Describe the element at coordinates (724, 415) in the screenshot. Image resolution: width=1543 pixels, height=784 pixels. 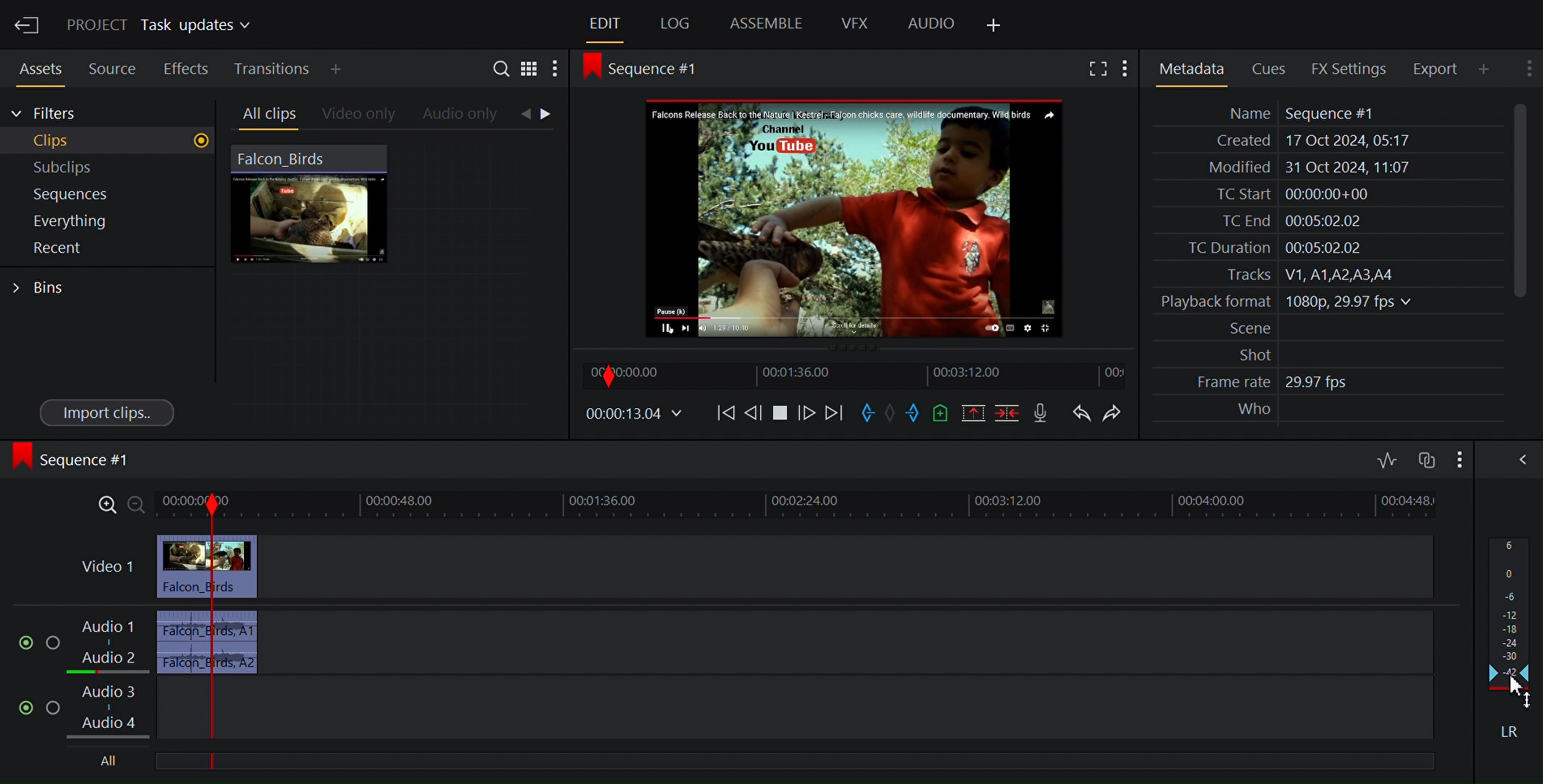
I see `Move backwards` at that location.